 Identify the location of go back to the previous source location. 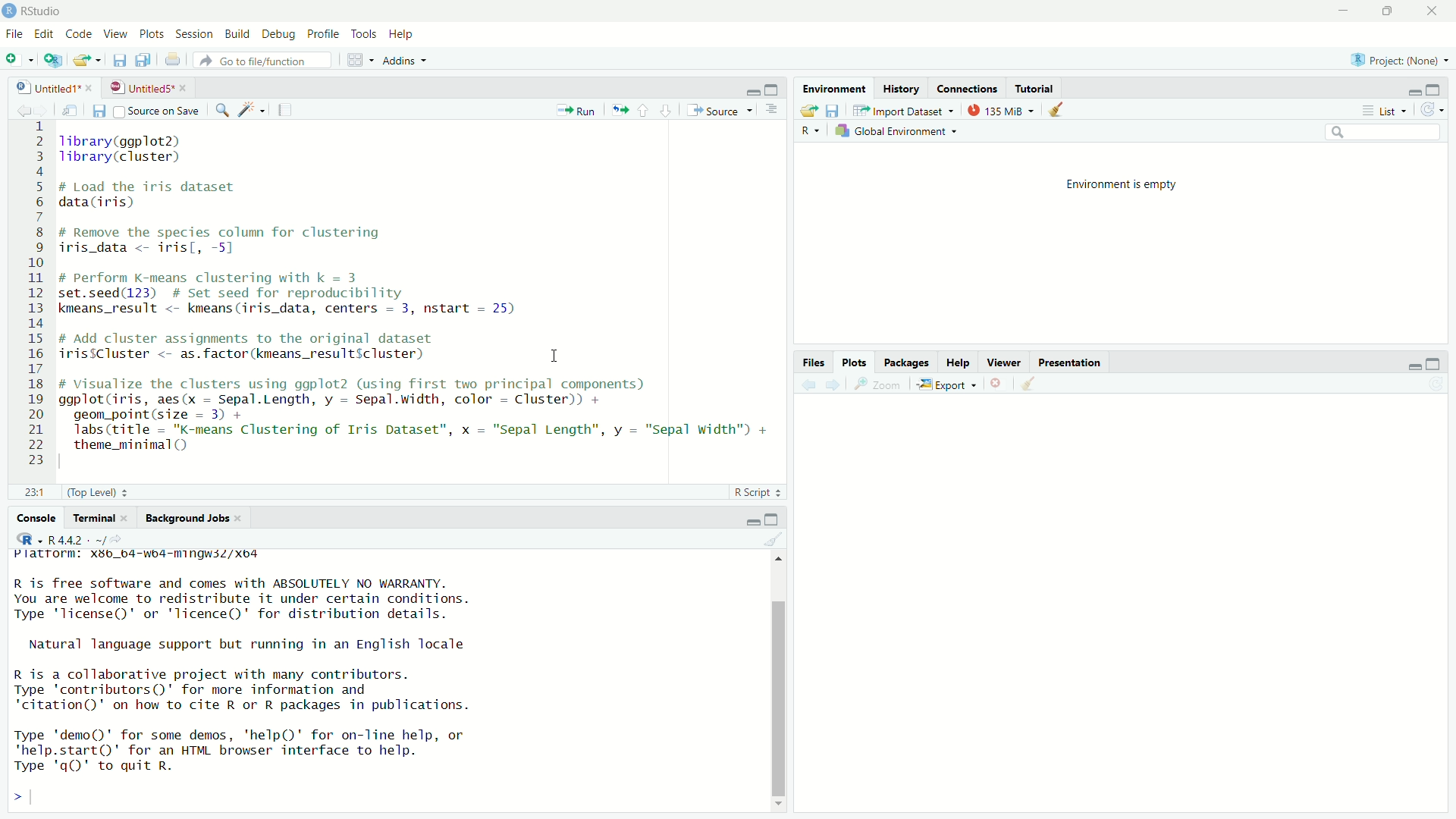
(15, 108).